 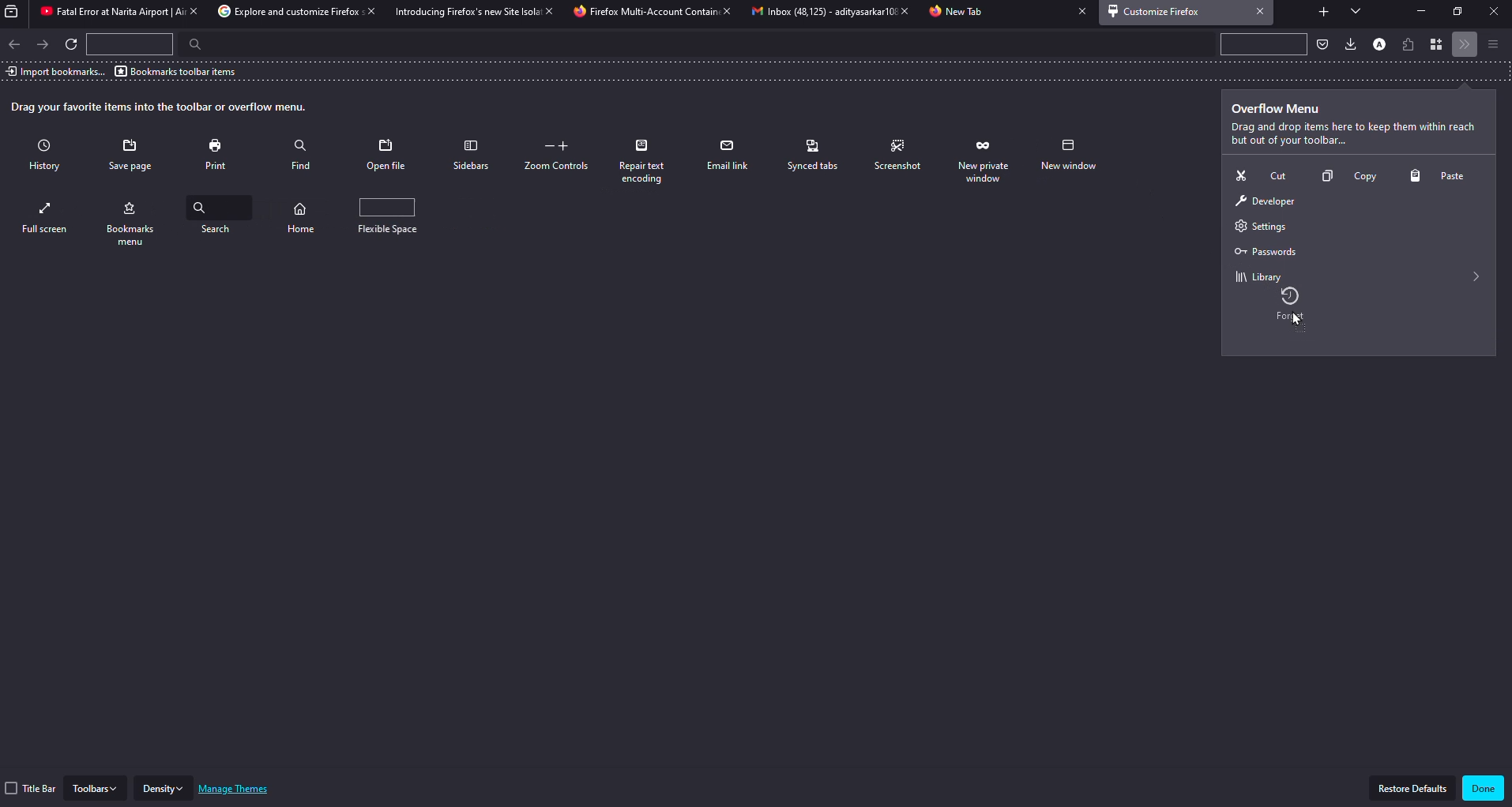 What do you see at coordinates (1322, 43) in the screenshot?
I see `save to packet` at bounding box center [1322, 43].